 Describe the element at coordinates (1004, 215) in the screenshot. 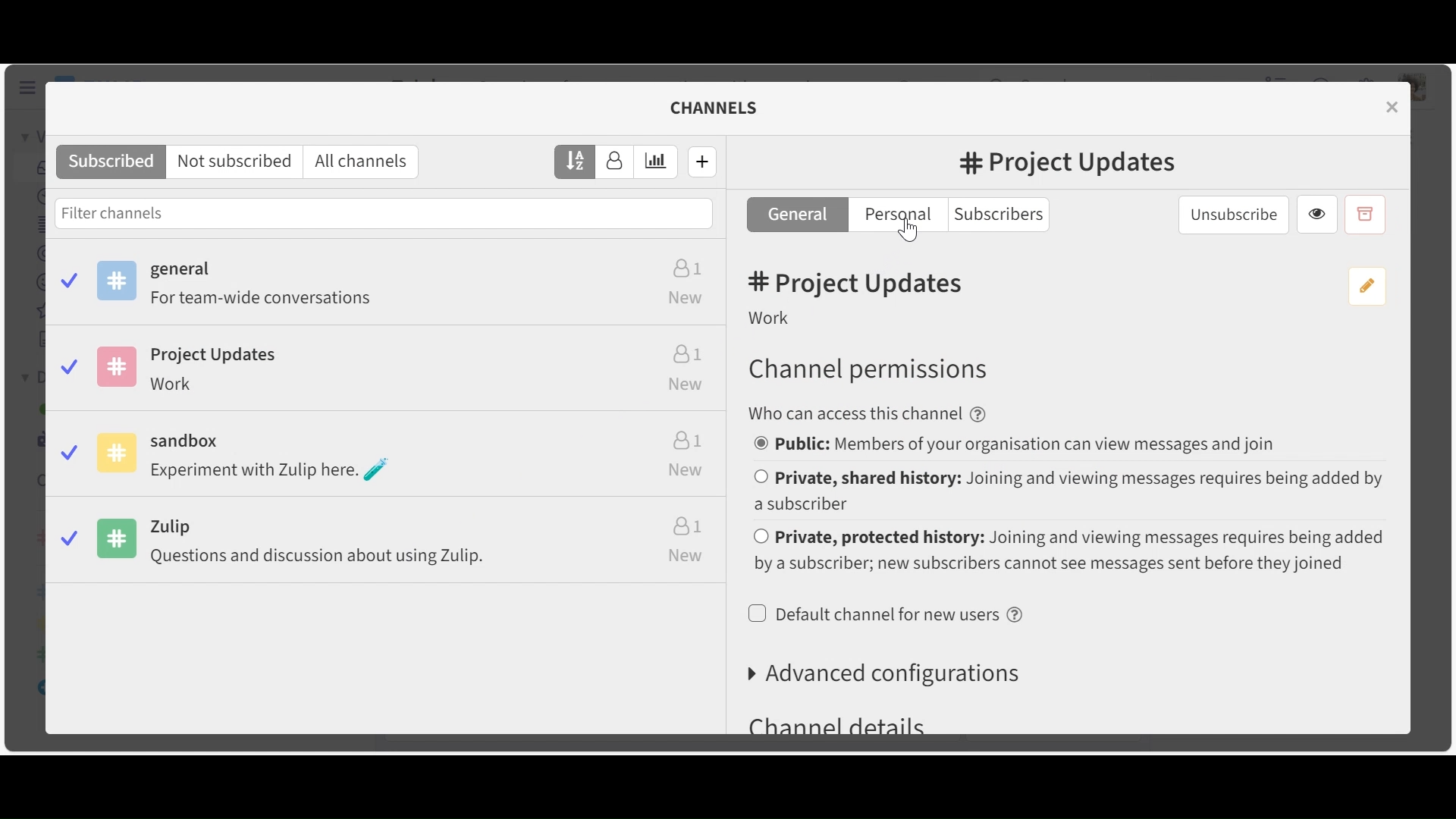

I see `Subscribers` at that location.